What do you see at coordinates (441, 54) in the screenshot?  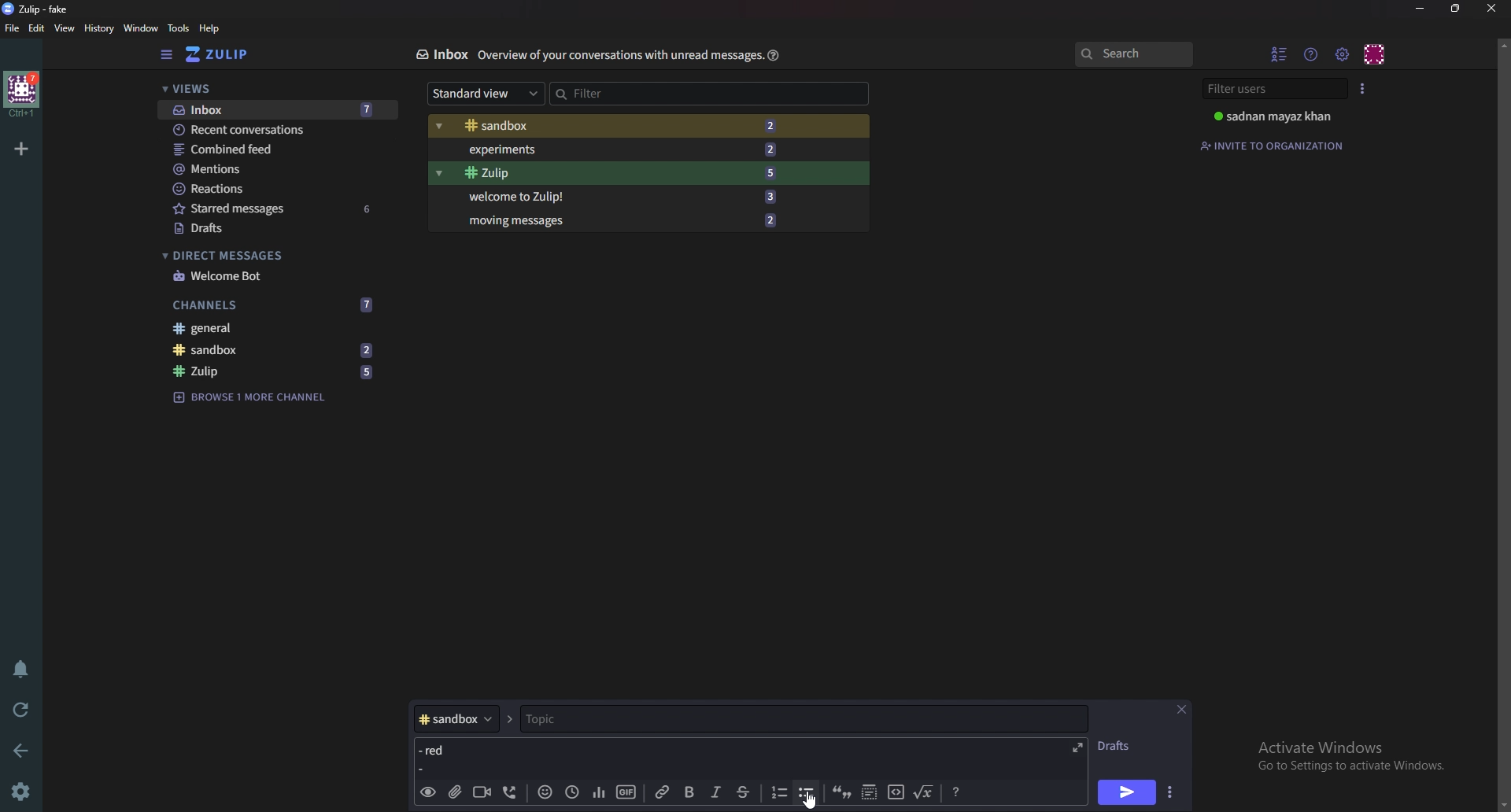 I see `Inbox` at bounding box center [441, 54].